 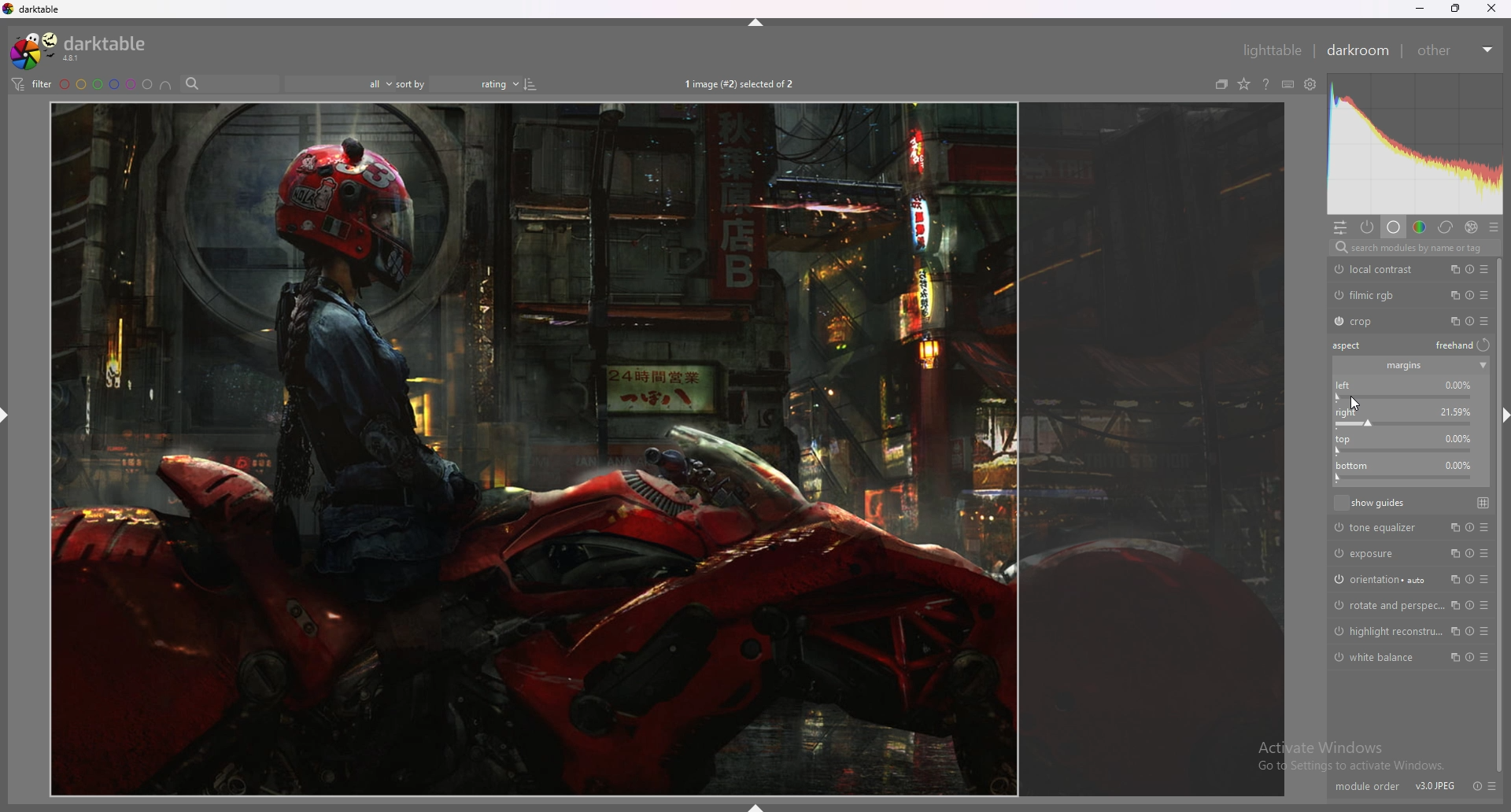 I want to click on reset, so click(x=1469, y=658).